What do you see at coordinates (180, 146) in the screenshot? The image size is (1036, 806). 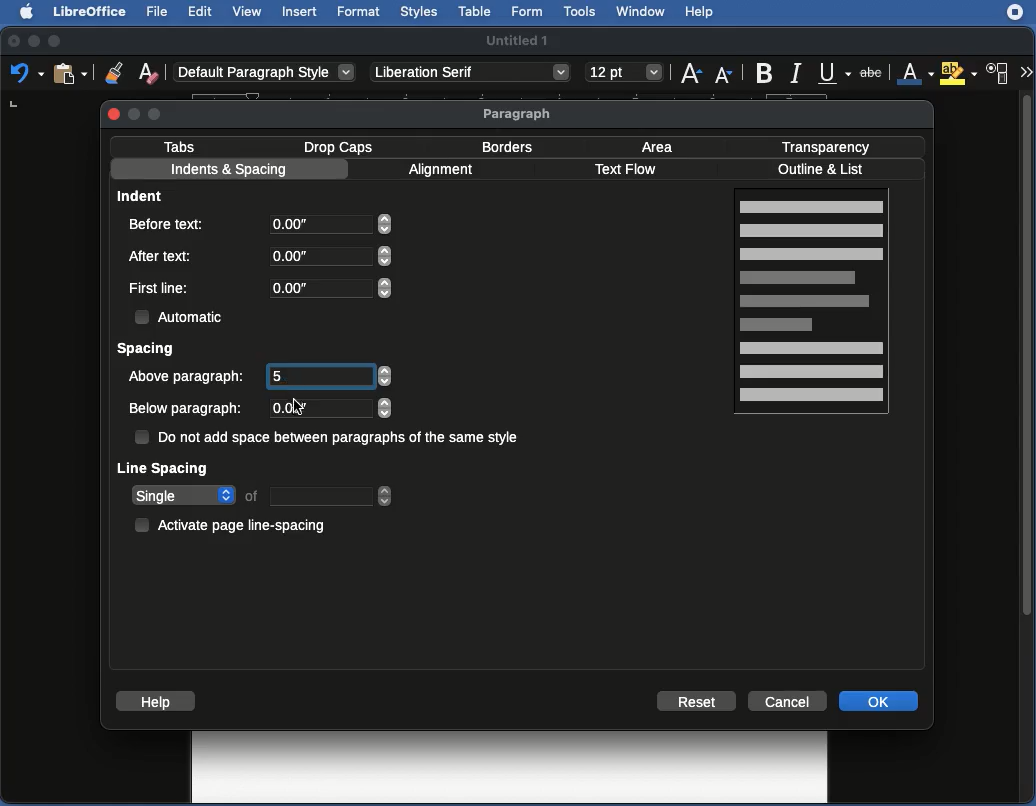 I see `Tabs` at bounding box center [180, 146].